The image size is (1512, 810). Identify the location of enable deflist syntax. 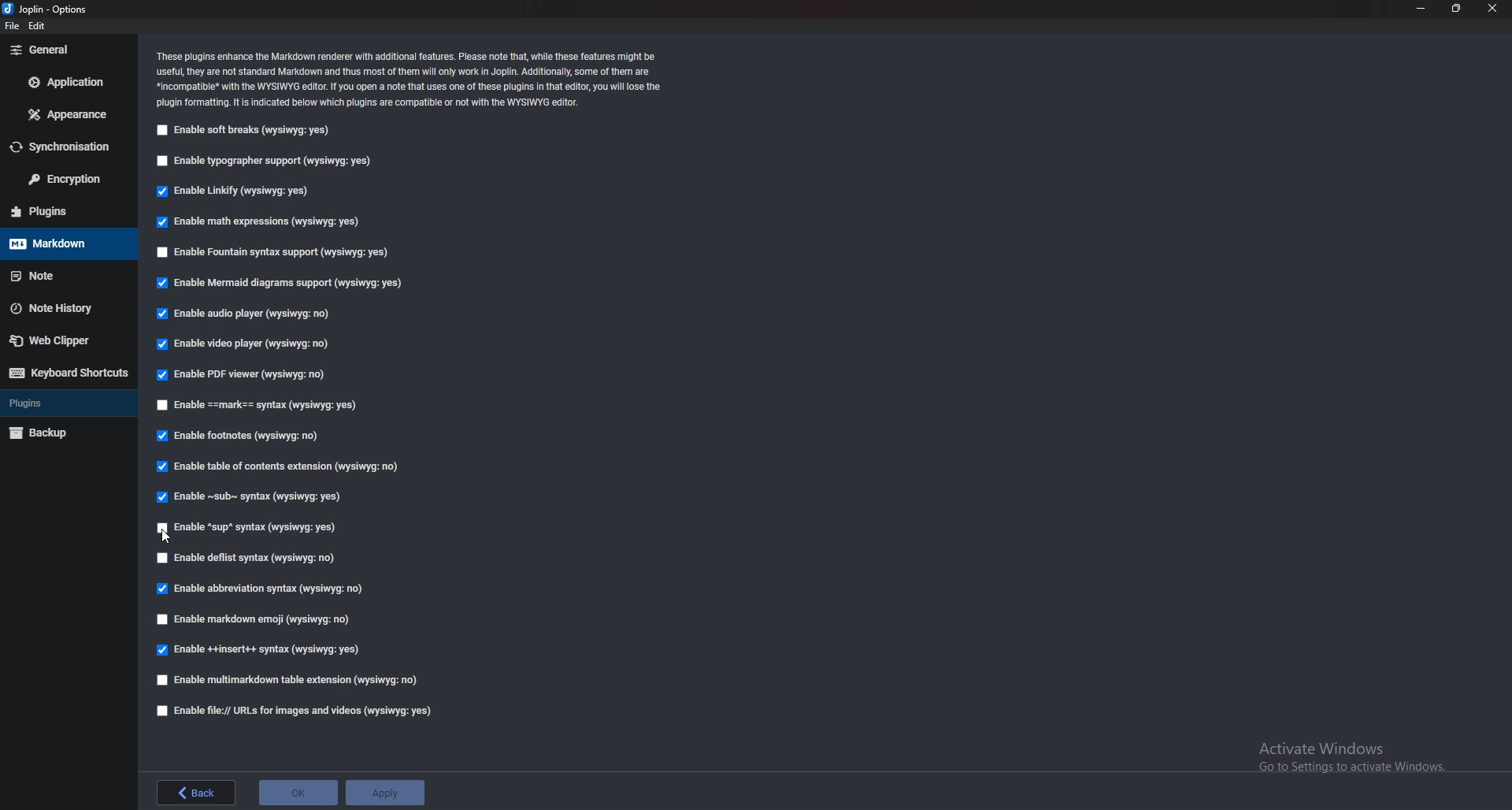
(250, 559).